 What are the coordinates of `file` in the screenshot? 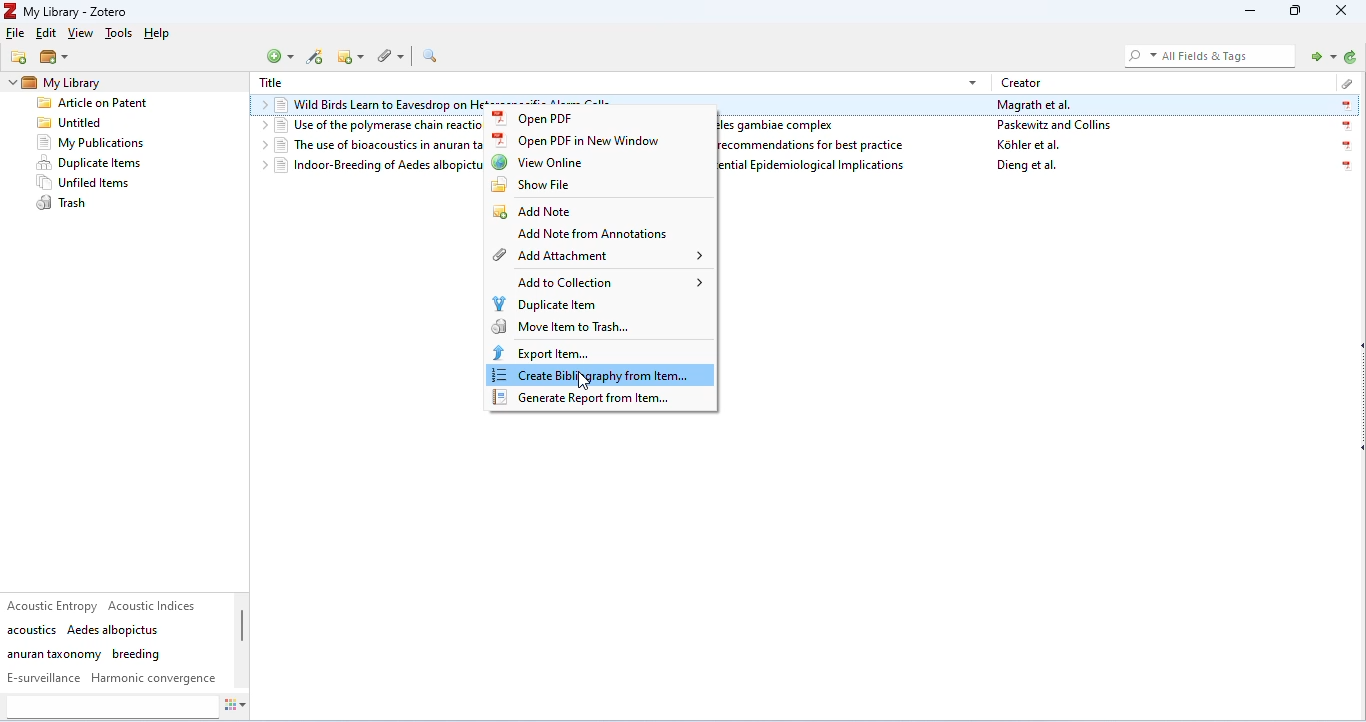 It's located at (16, 33).